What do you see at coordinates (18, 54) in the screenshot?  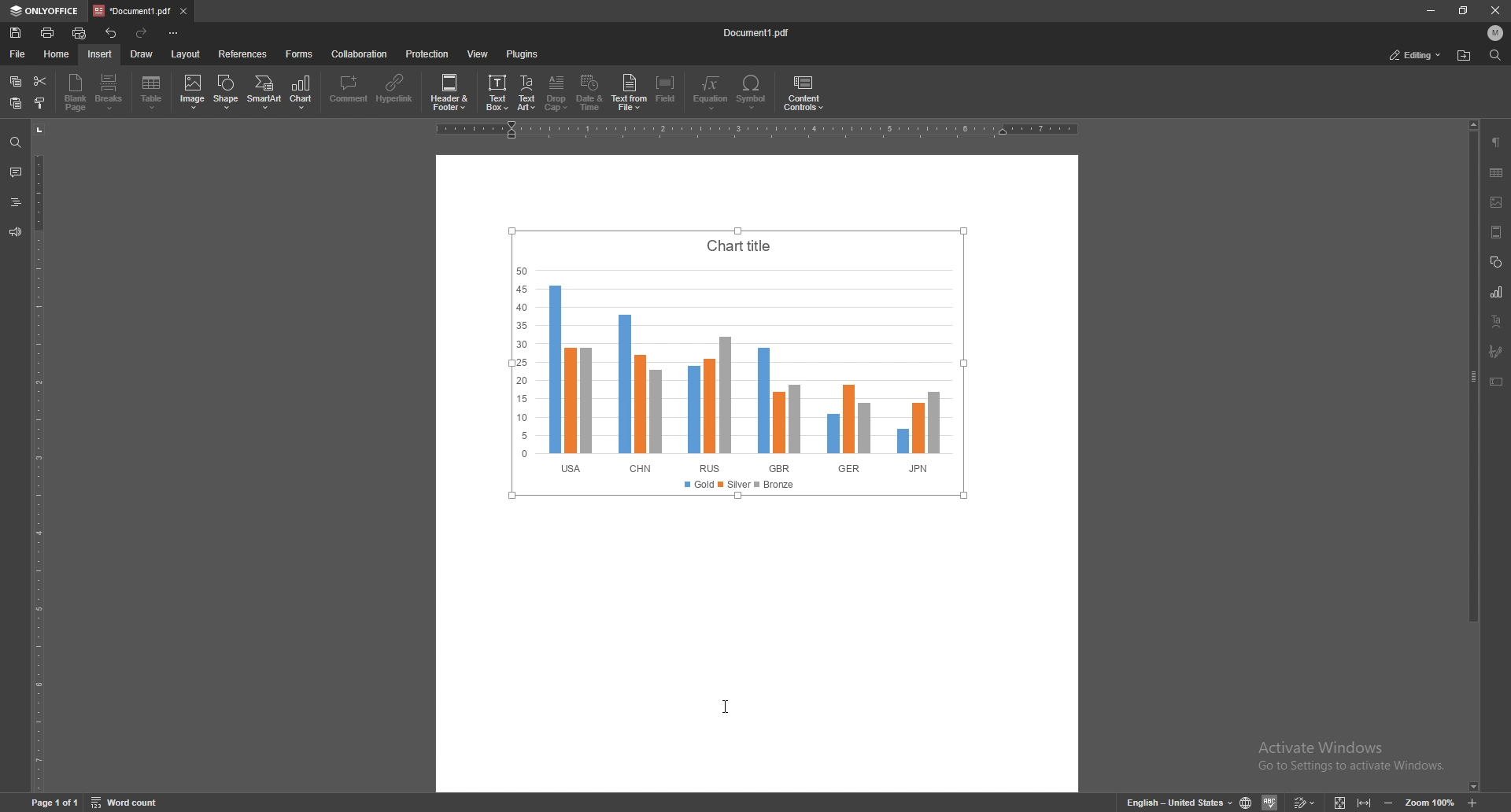 I see `file` at bounding box center [18, 54].